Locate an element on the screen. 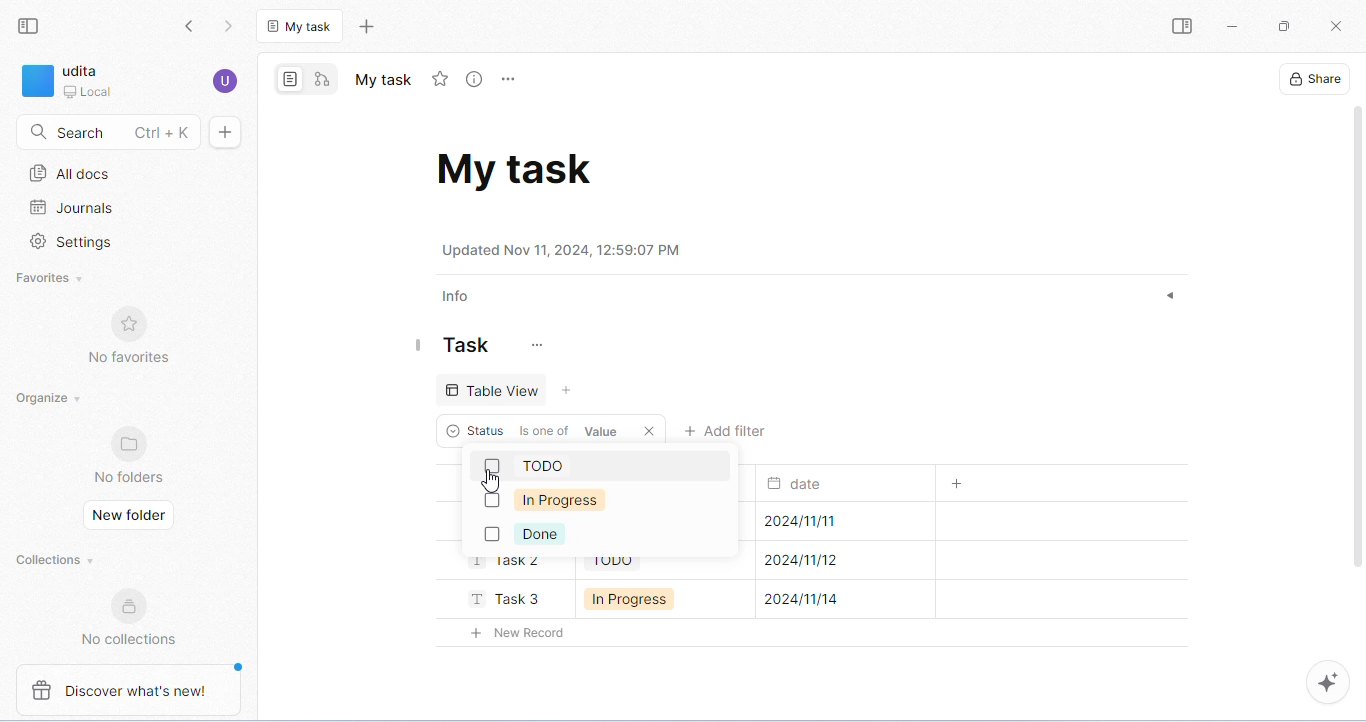  organize is located at coordinates (48, 398).